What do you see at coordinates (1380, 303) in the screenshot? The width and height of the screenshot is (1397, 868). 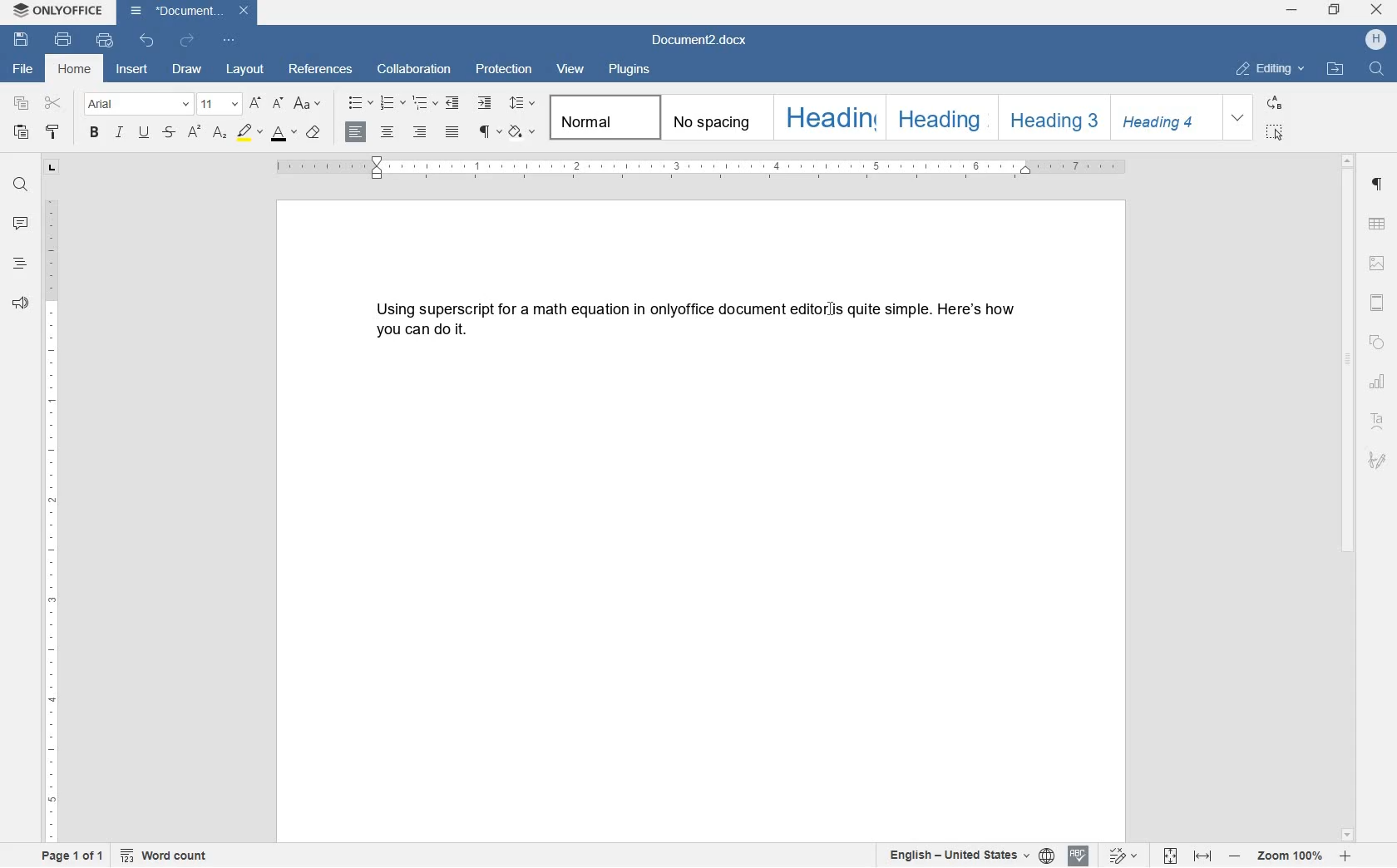 I see `header & footer` at bounding box center [1380, 303].